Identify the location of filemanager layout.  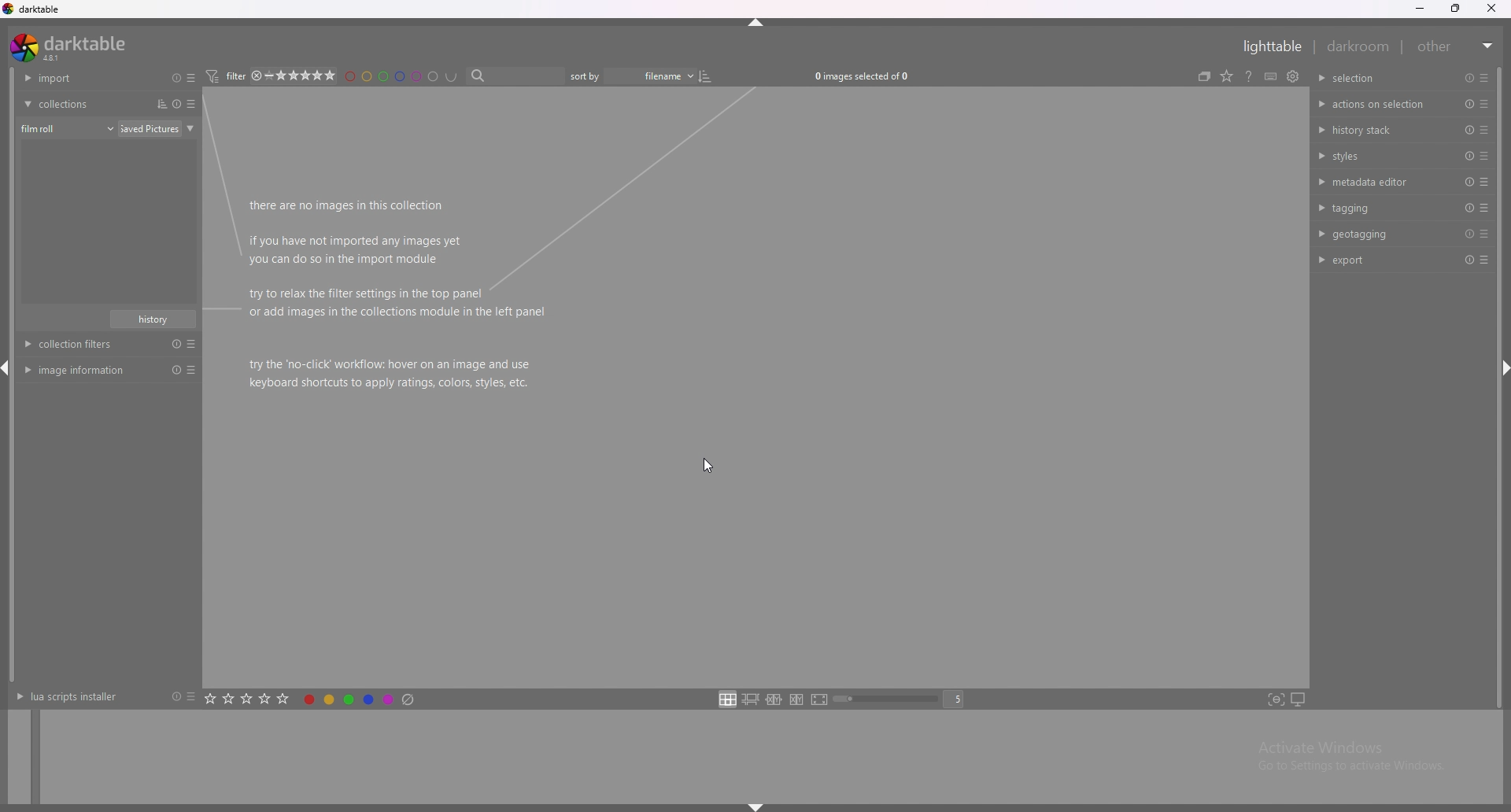
(727, 699).